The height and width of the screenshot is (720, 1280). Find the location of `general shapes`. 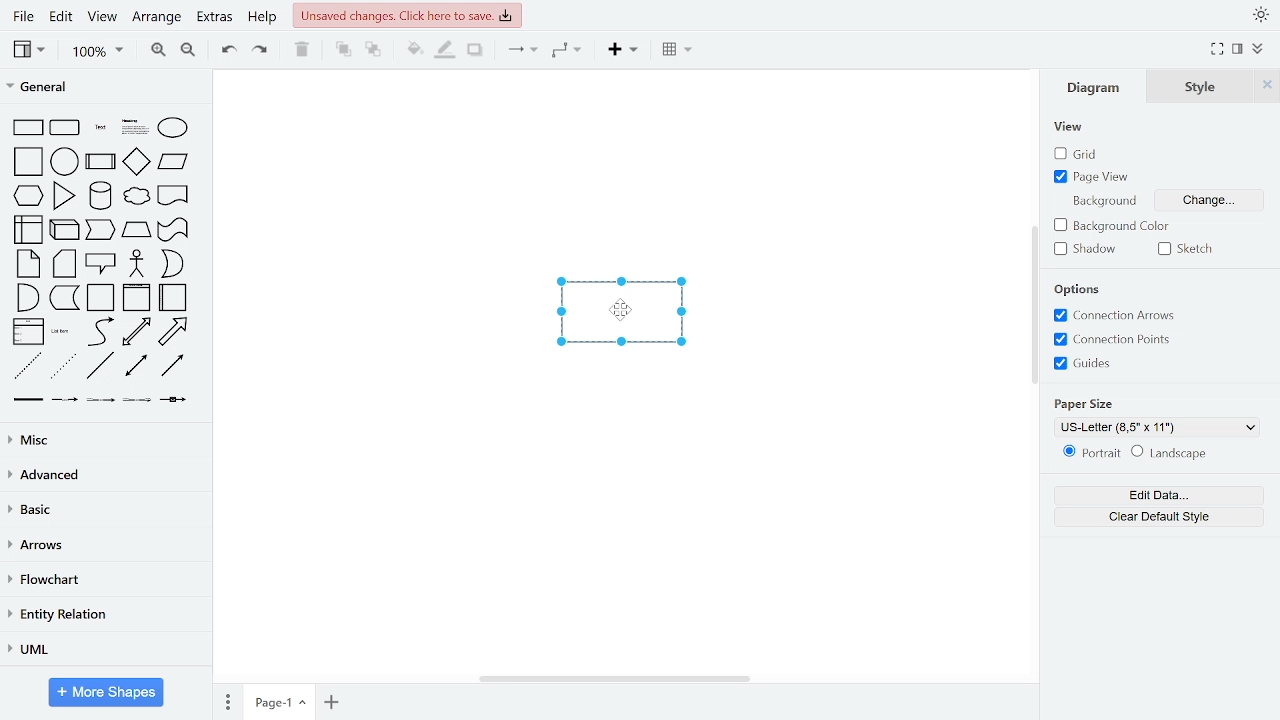

general shapes is located at coordinates (172, 126).